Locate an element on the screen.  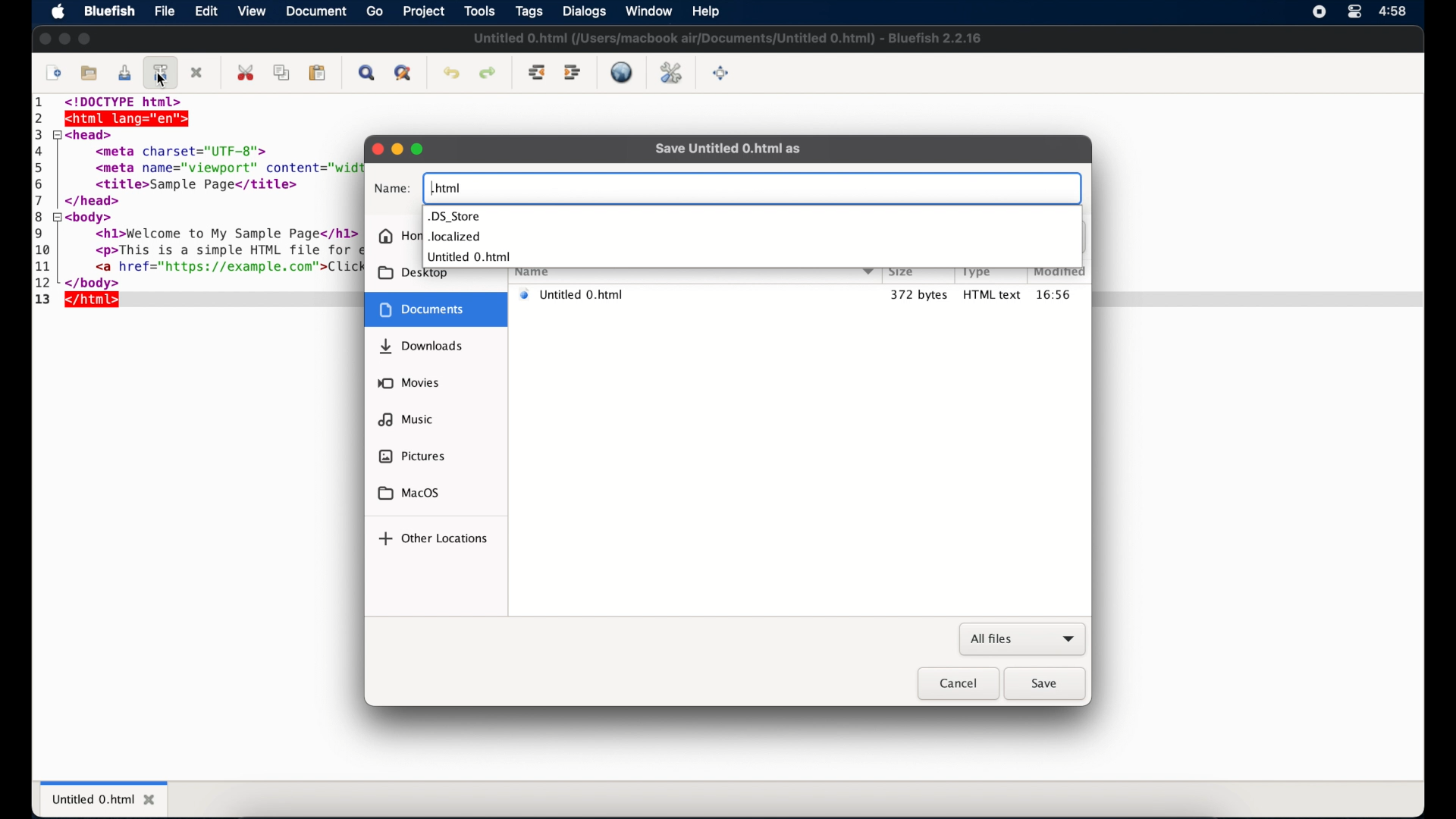
live preview is located at coordinates (621, 72).